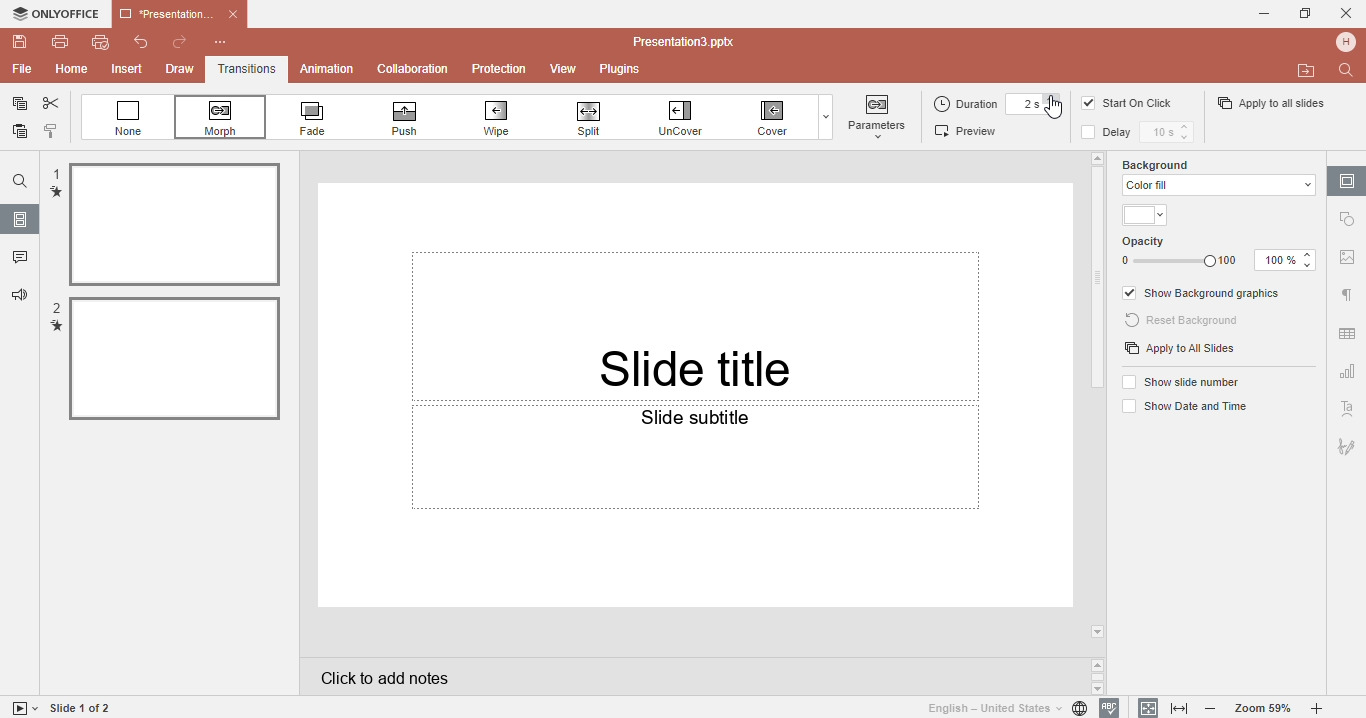  Describe the element at coordinates (1216, 185) in the screenshot. I see `color fill` at that location.